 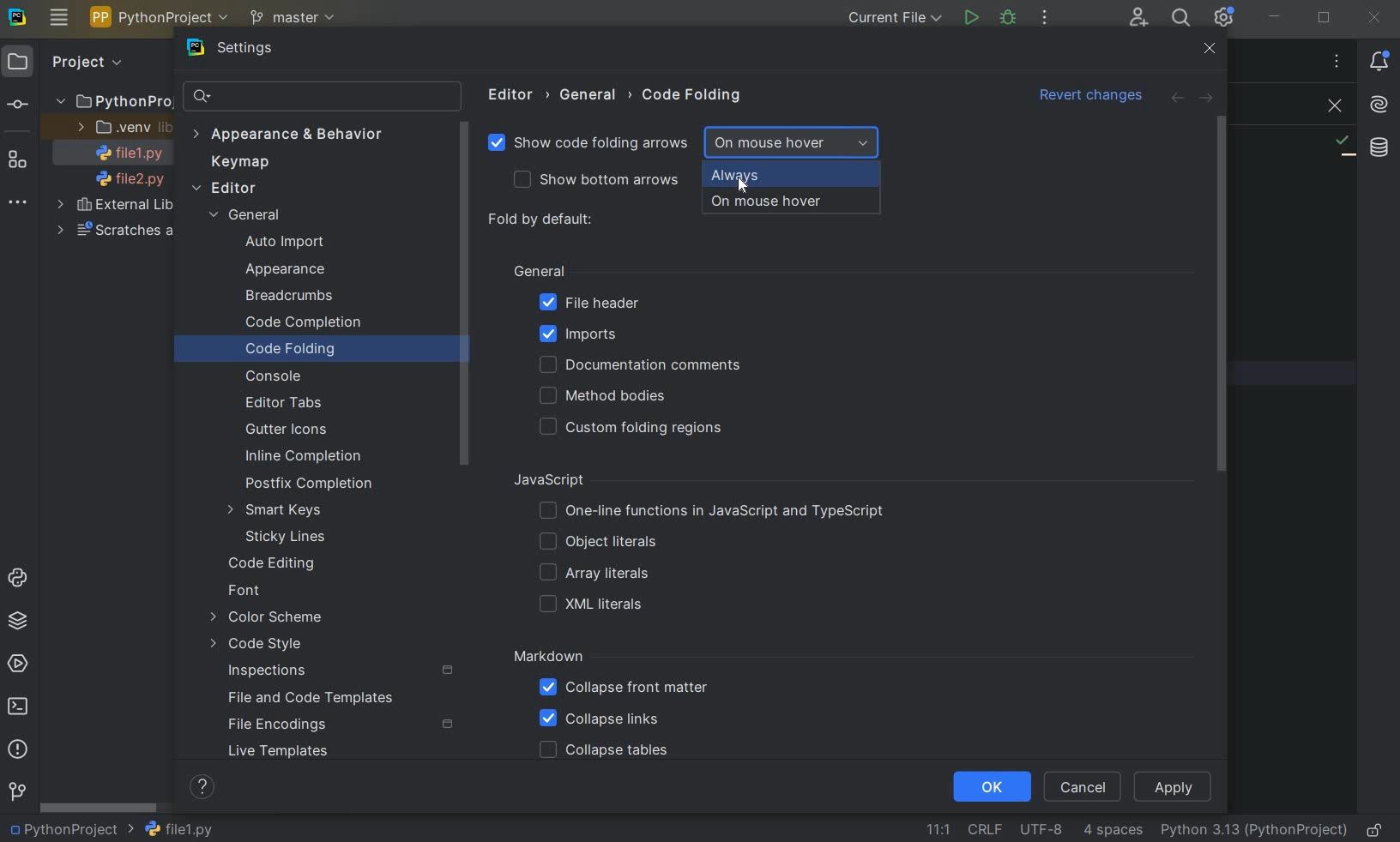 What do you see at coordinates (714, 511) in the screenshot?
I see `ONE-LINE FUNCTIONS IN JAVASCRIPT AND TYPESCRIPT` at bounding box center [714, 511].